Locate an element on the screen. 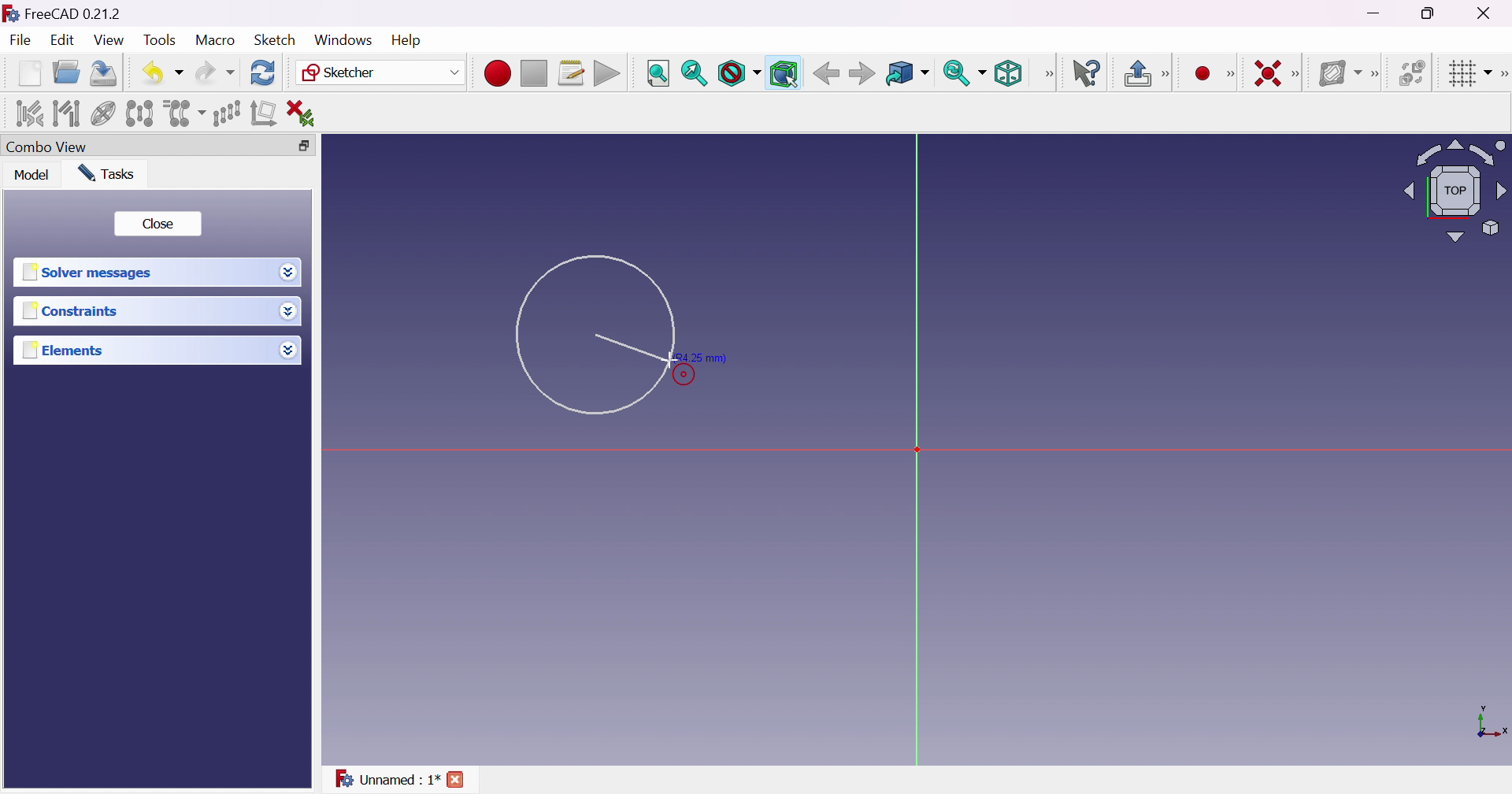 The height and width of the screenshot is (794, 1512). Edit is located at coordinates (61, 42).